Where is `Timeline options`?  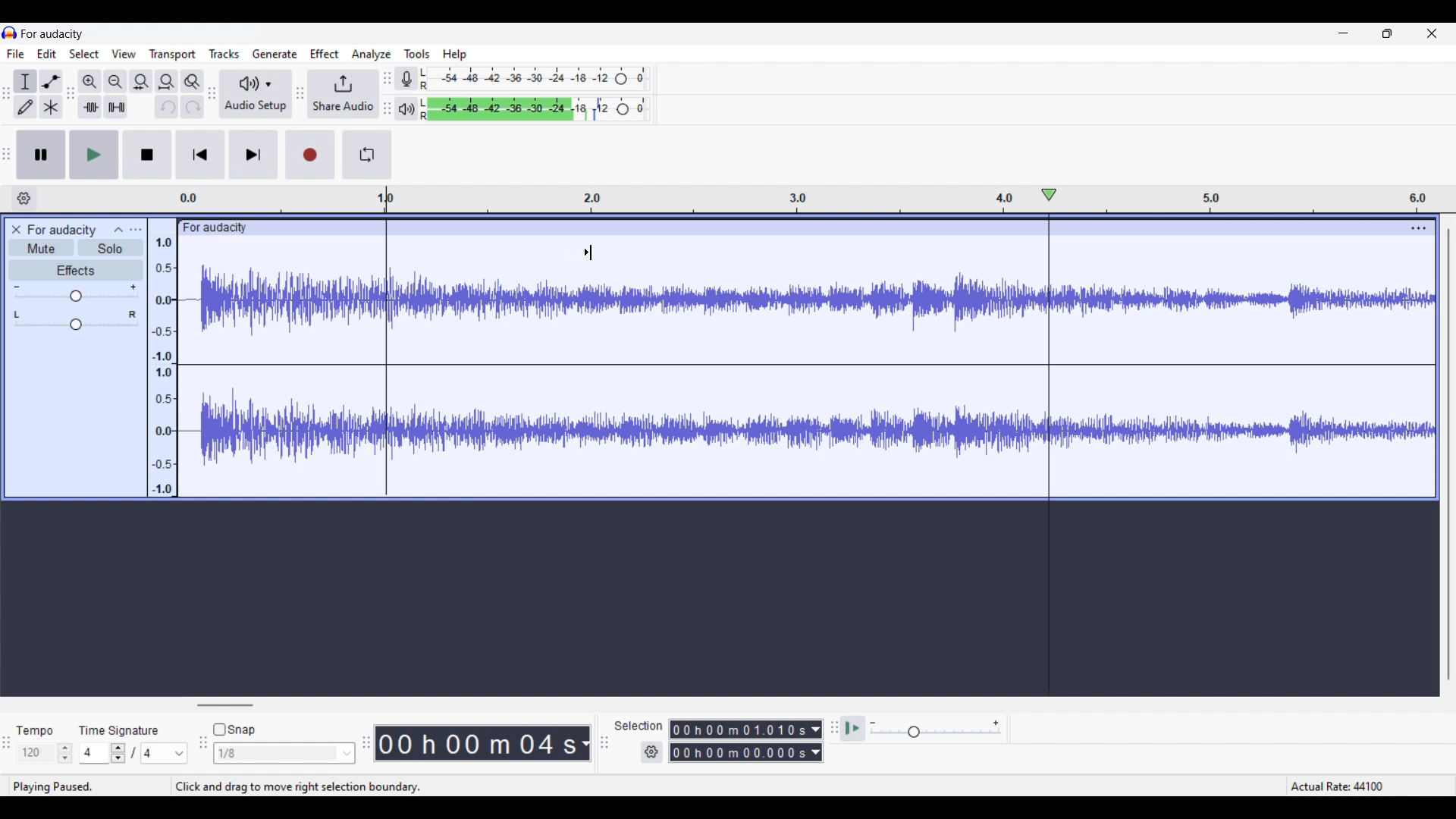 Timeline options is located at coordinates (24, 199).